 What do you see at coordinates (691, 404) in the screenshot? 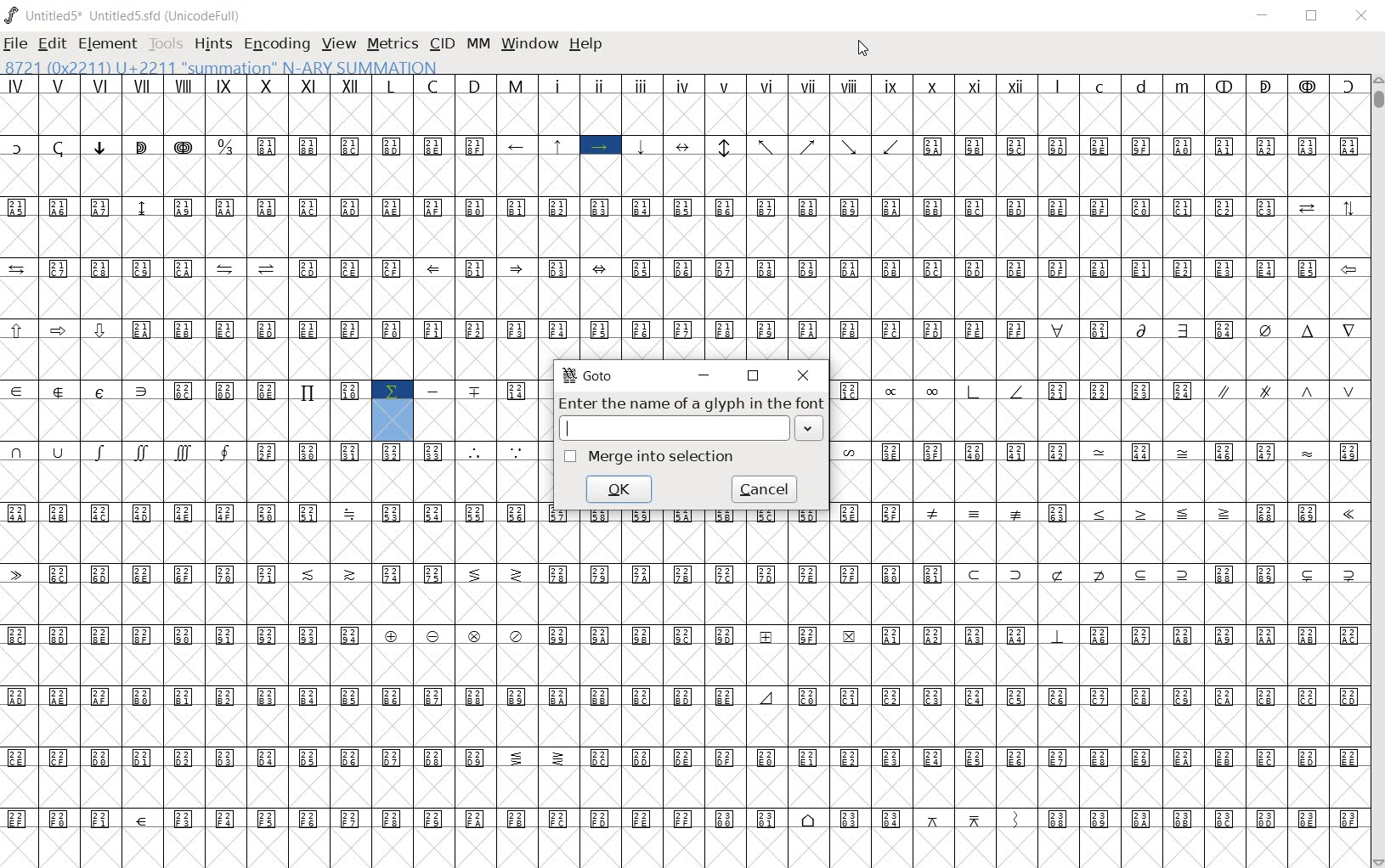
I see `Enter the name of a glyph in the font` at bounding box center [691, 404].